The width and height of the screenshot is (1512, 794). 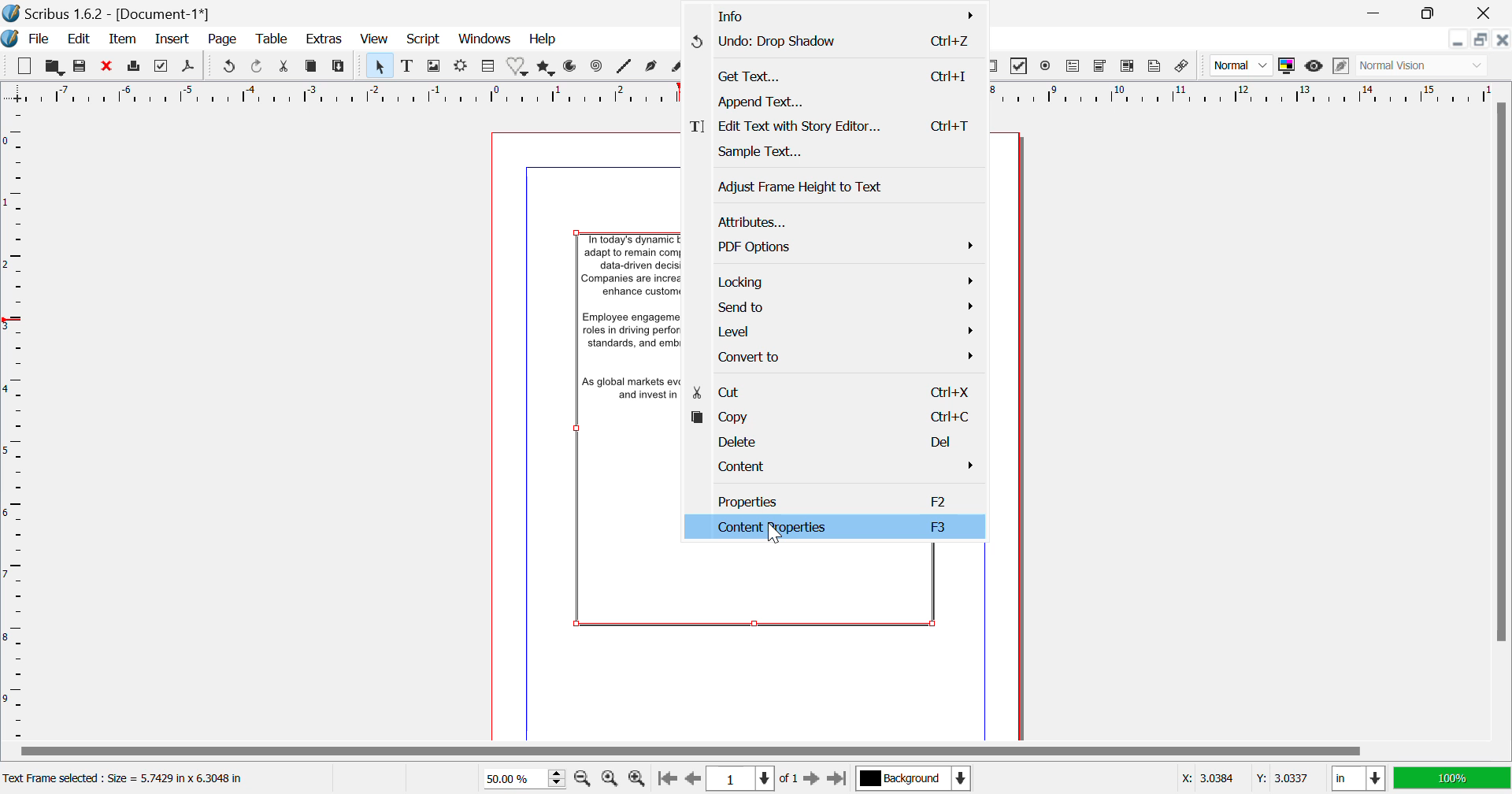 I want to click on Table, so click(x=272, y=40).